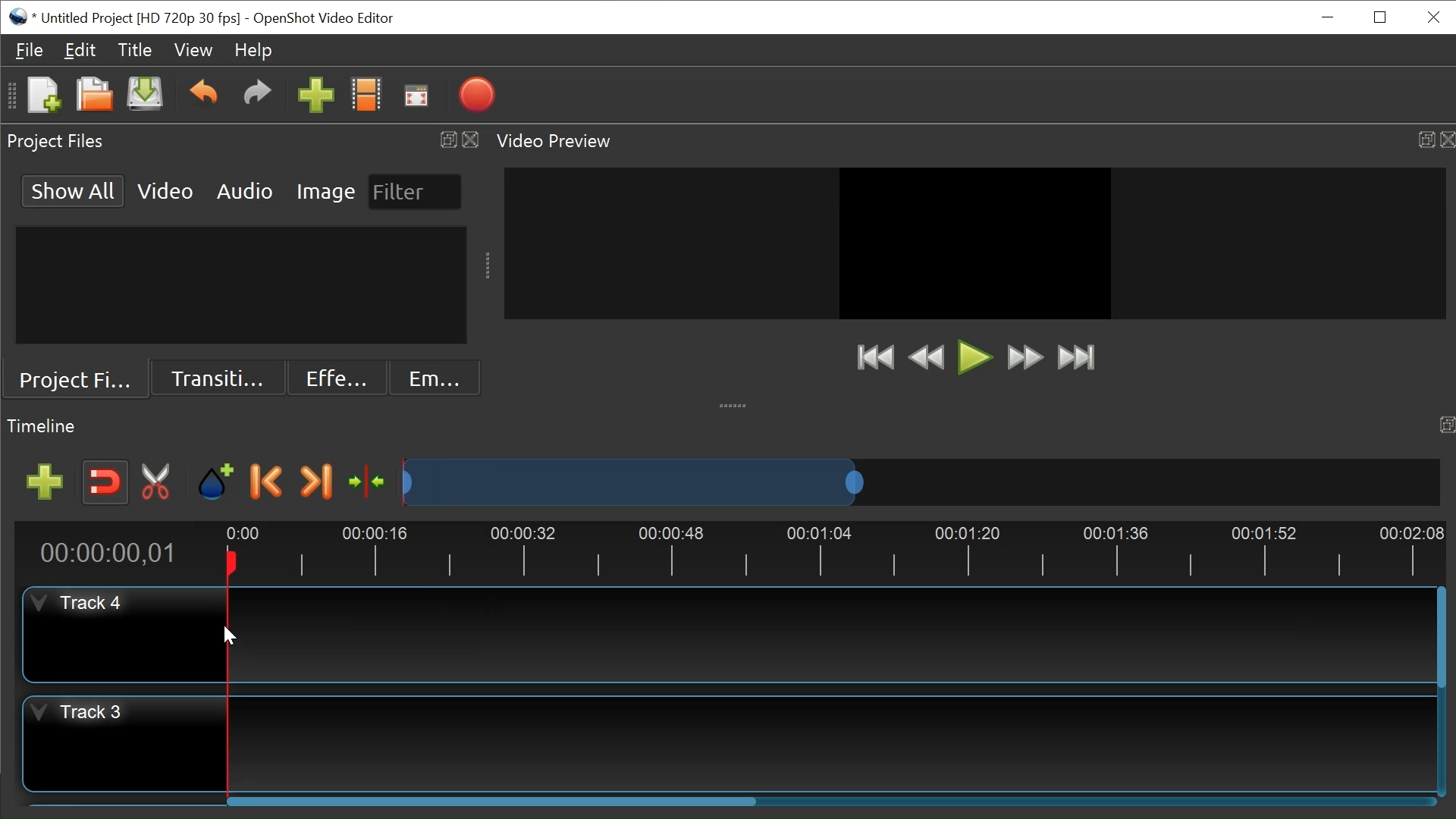 The width and height of the screenshot is (1456, 819). I want to click on Project Files, so click(242, 142).